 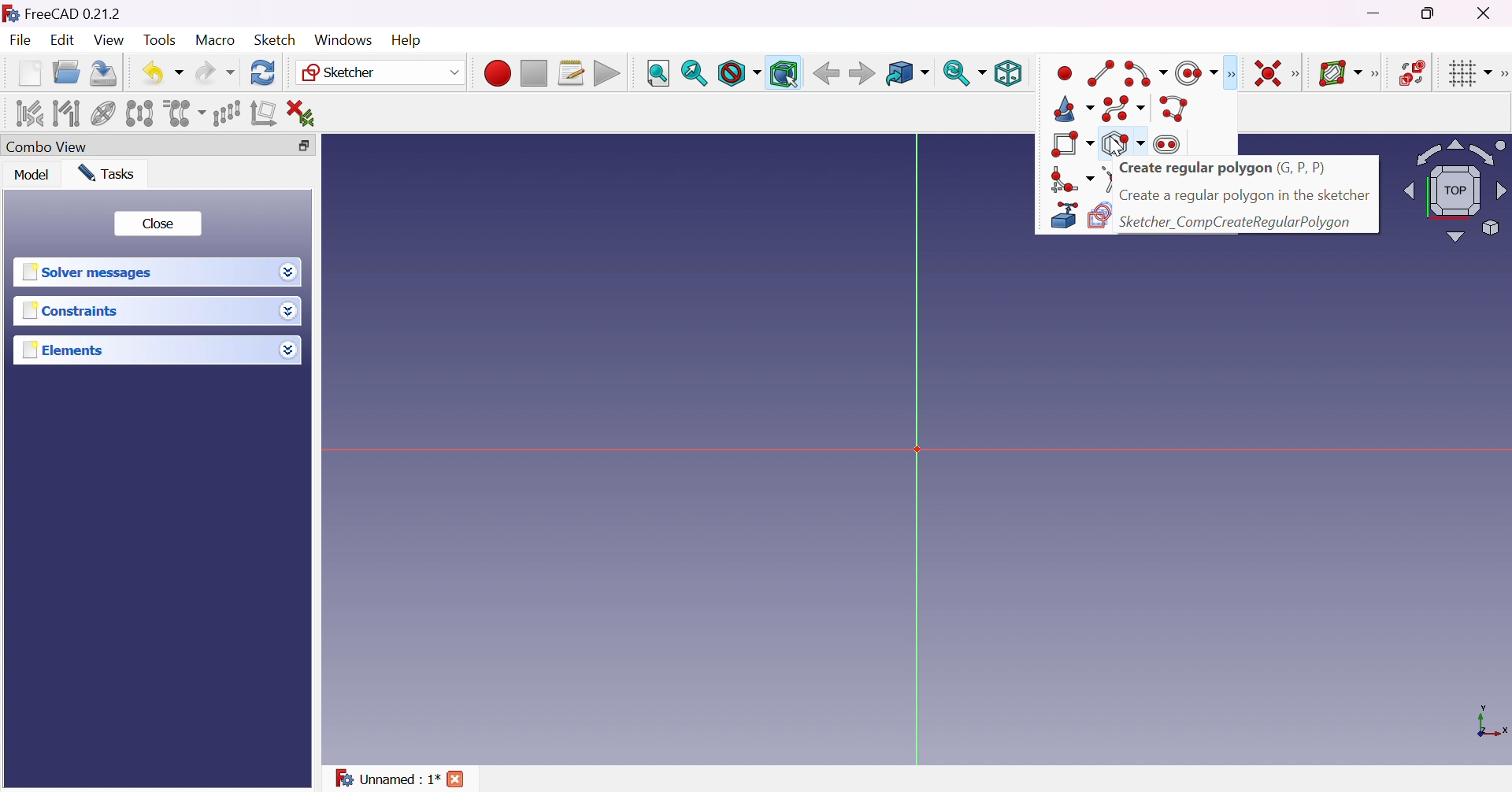 What do you see at coordinates (1230, 74) in the screenshot?
I see `[Sketcher geometries]]` at bounding box center [1230, 74].